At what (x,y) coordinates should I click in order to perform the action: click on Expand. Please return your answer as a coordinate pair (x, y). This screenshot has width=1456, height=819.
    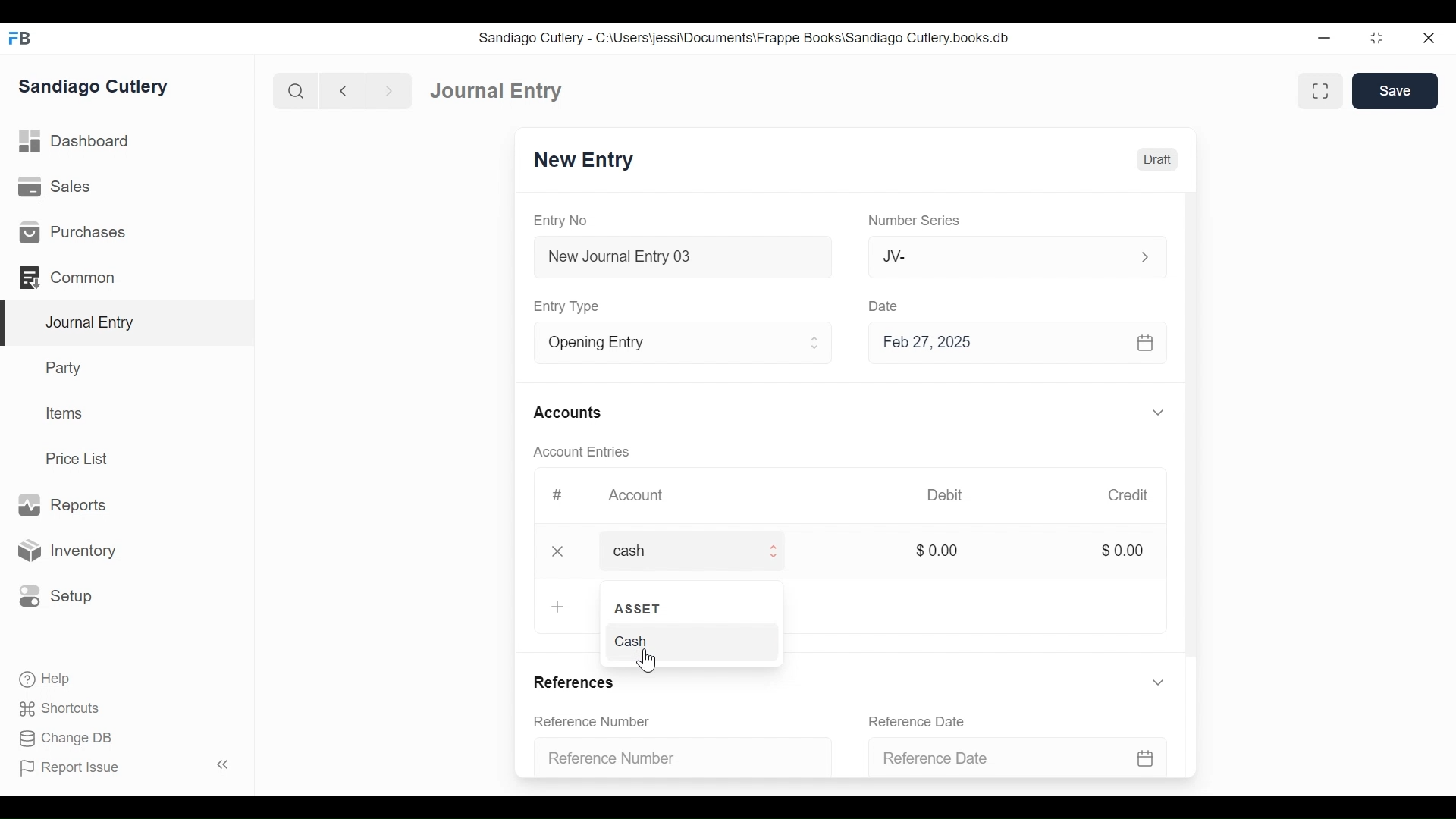
    Looking at the image, I should click on (1159, 681).